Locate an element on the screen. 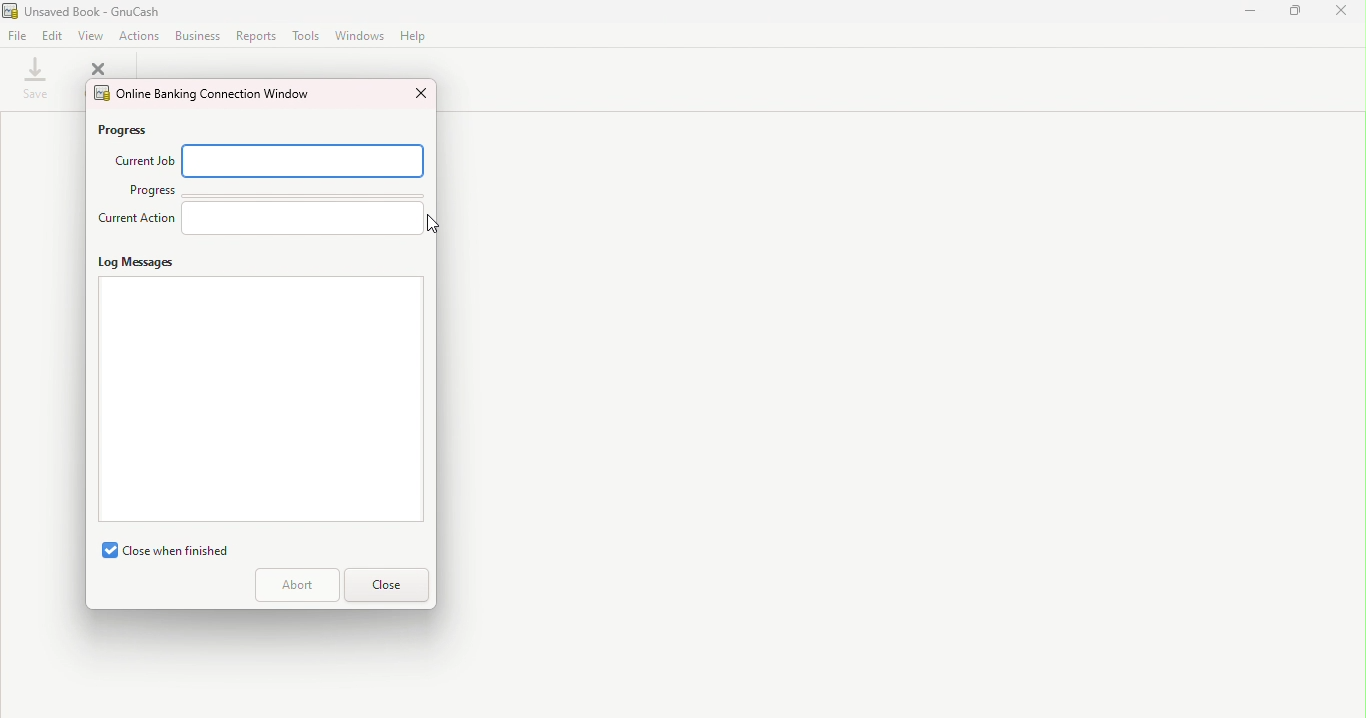  Progress is located at coordinates (141, 128).